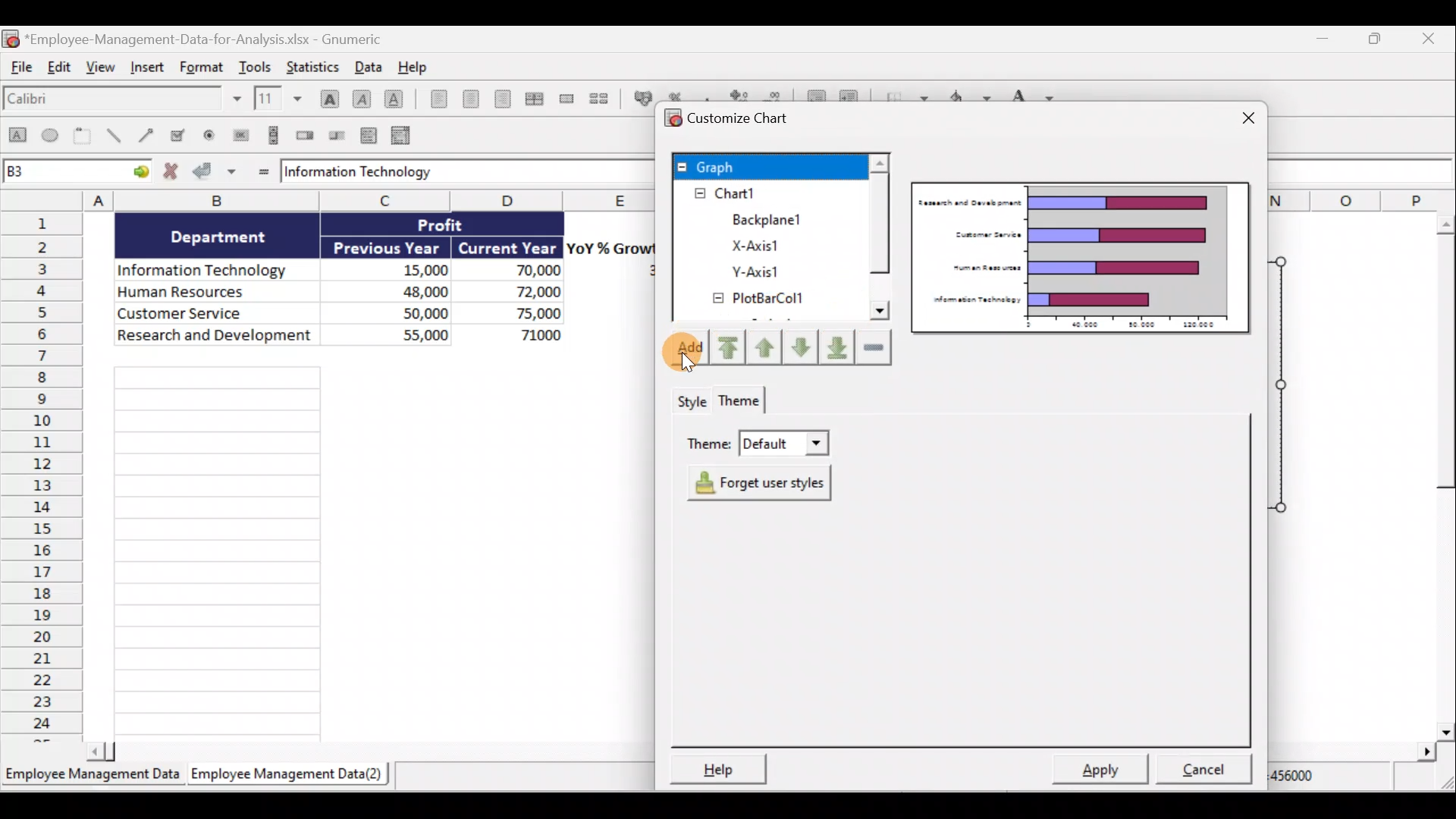  Describe the element at coordinates (839, 349) in the screenshot. I see `Move downward` at that location.